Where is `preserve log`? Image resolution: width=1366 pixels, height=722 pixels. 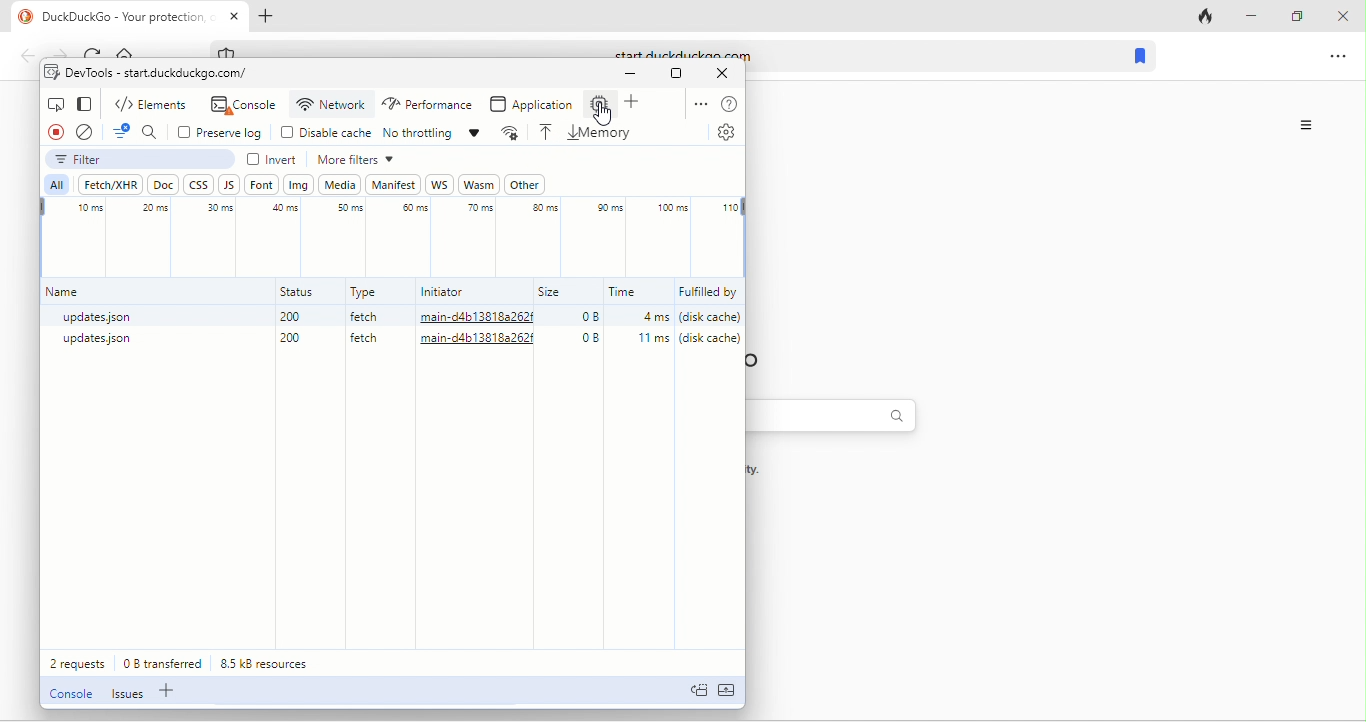 preserve log is located at coordinates (222, 132).